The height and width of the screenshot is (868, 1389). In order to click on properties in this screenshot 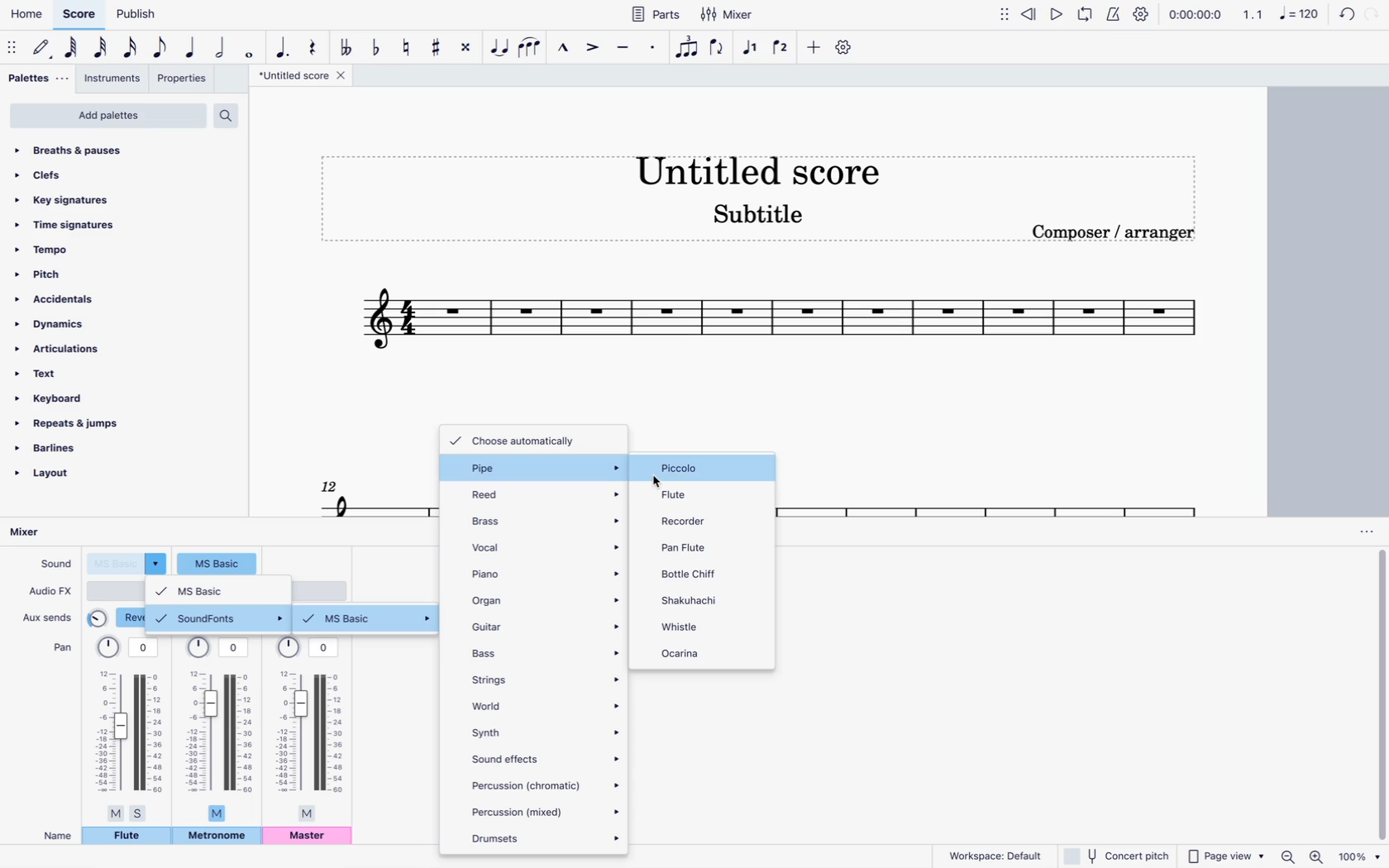, I will do `click(184, 80)`.